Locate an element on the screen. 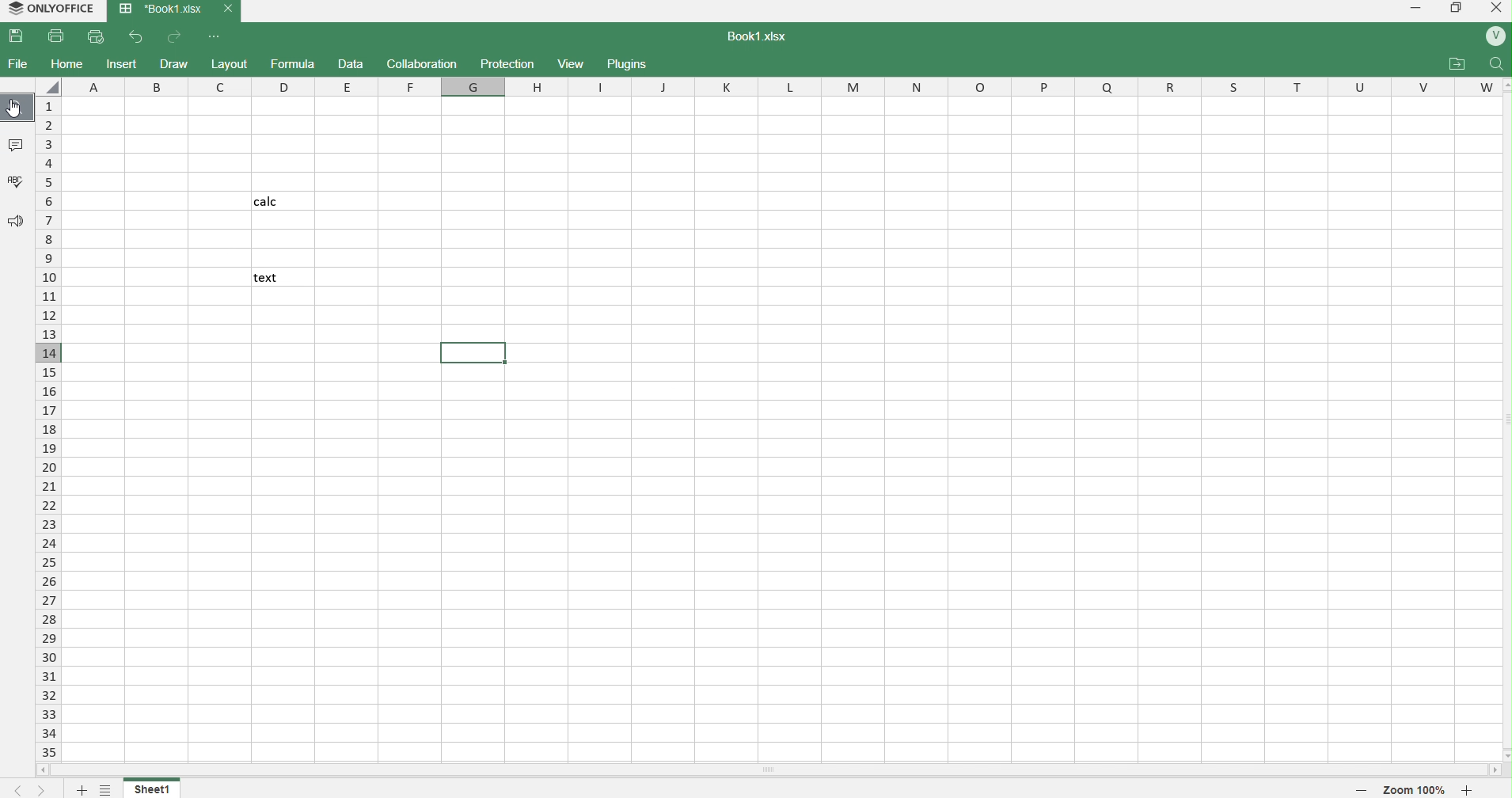  previous sheet is located at coordinates (11, 788).